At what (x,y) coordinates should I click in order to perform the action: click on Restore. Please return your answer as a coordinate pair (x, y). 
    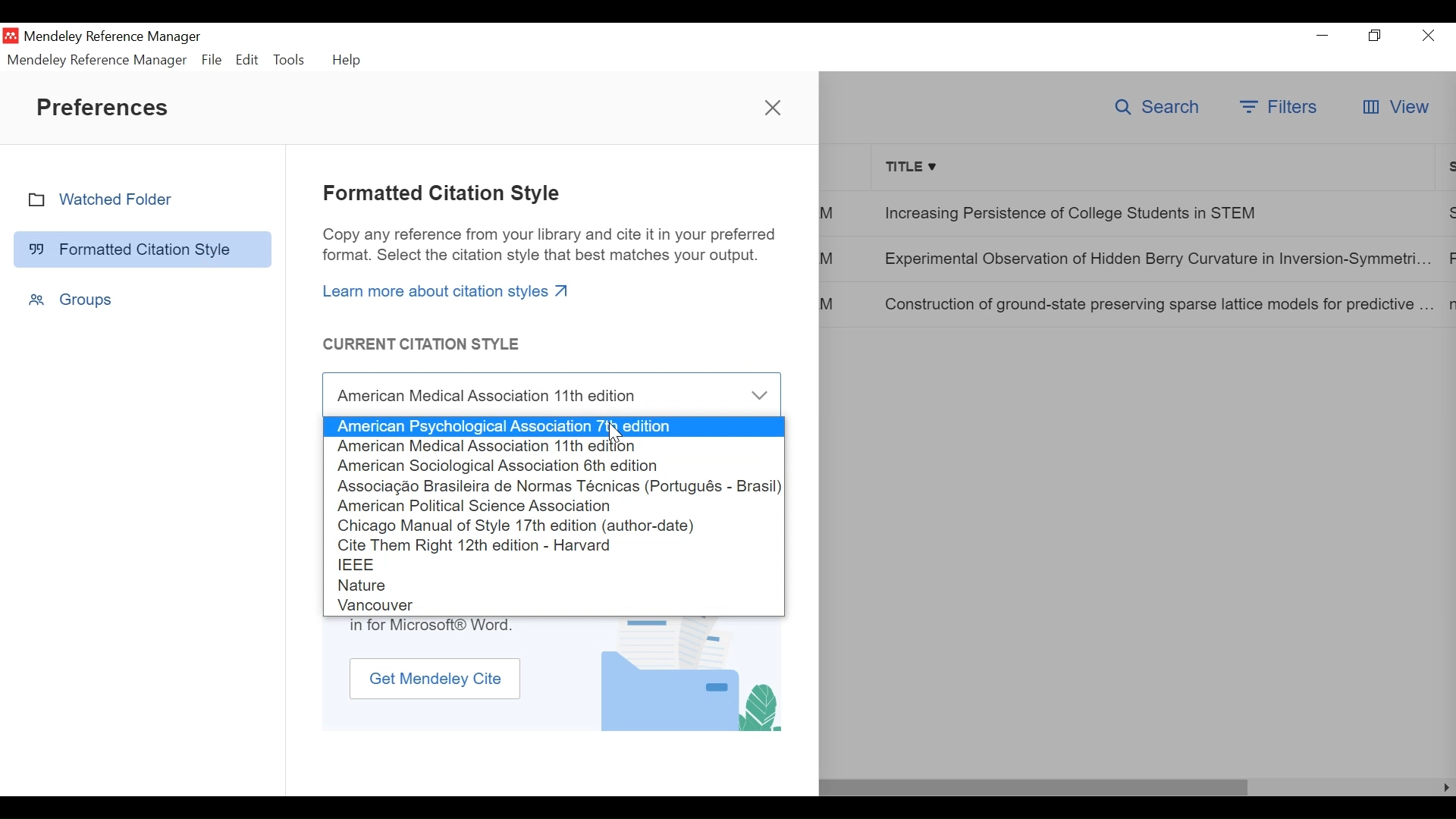
    Looking at the image, I should click on (1376, 36).